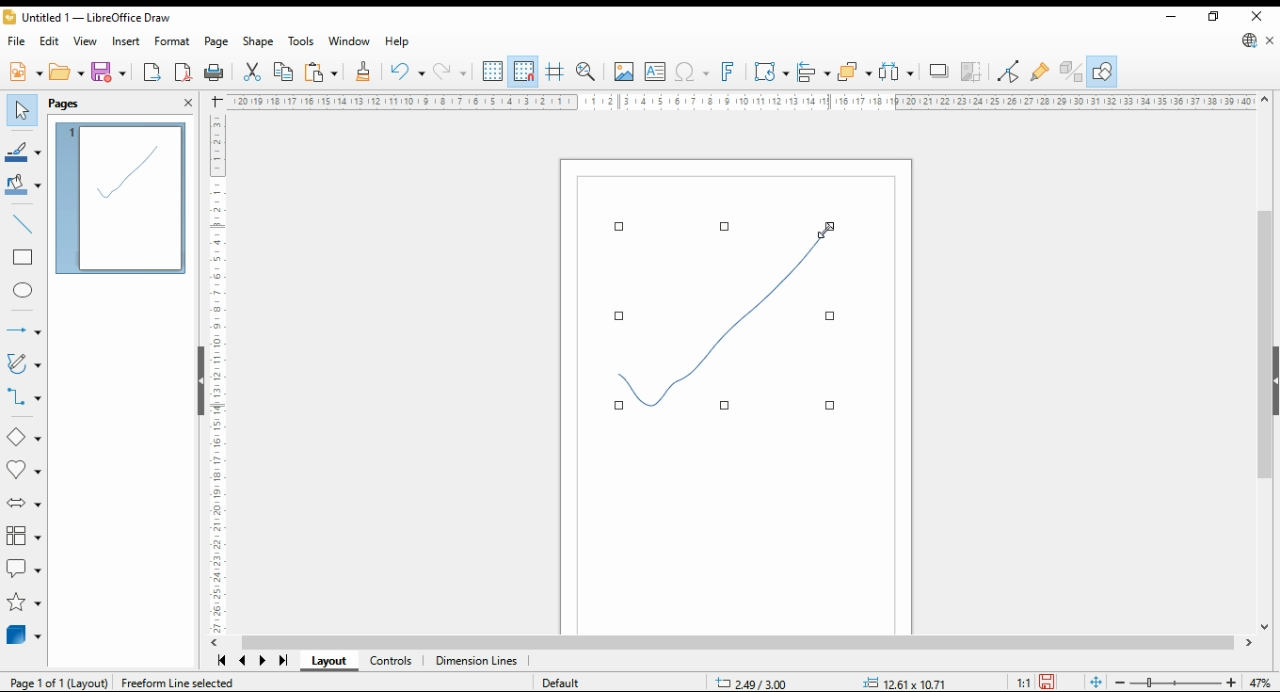 This screenshot has height=692, width=1280. What do you see at coordinates (656, 72) in the screenshot?
I see `open textbox` at bounding box center [656, 72].